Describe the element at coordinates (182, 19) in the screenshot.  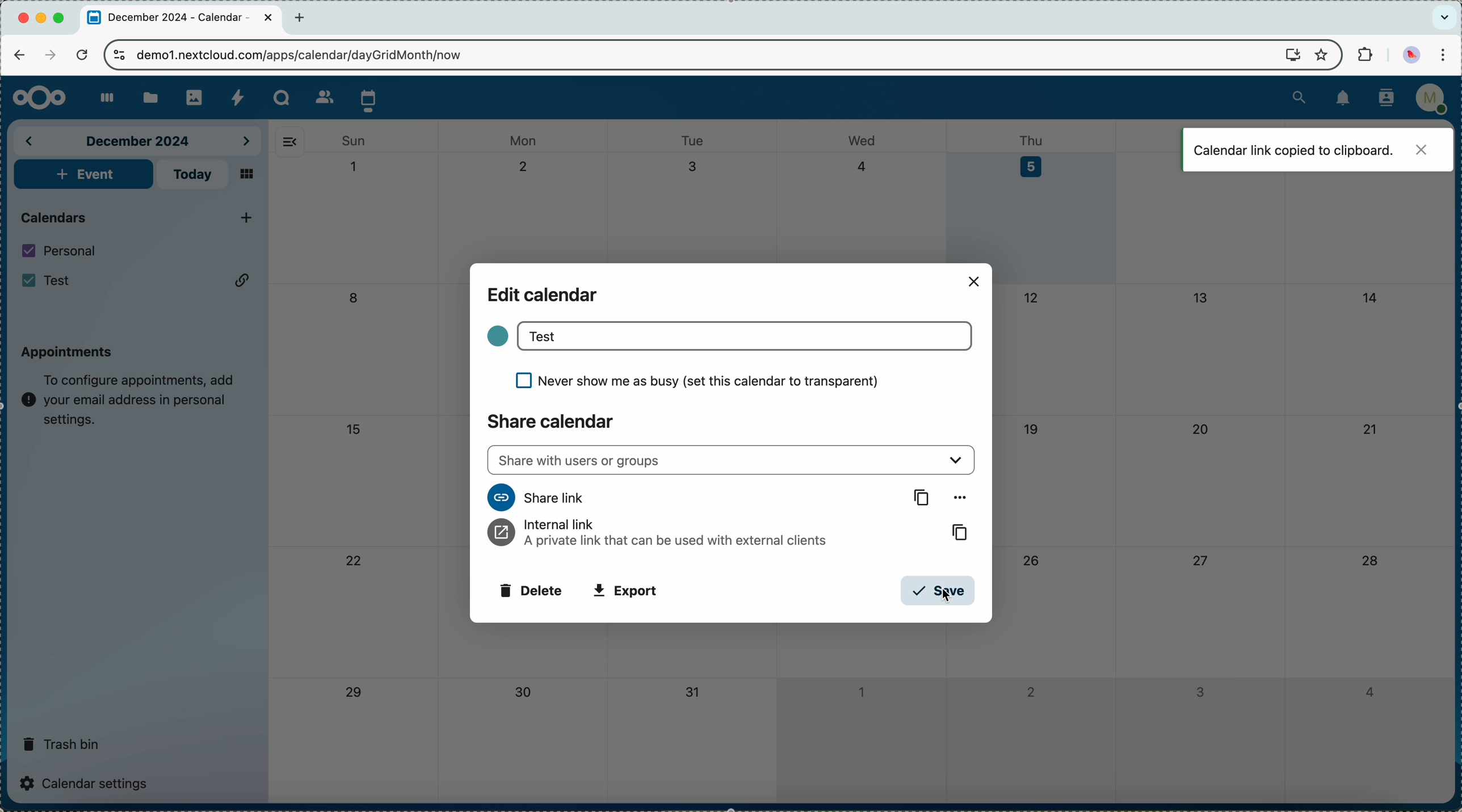
I see `tab` at that location.